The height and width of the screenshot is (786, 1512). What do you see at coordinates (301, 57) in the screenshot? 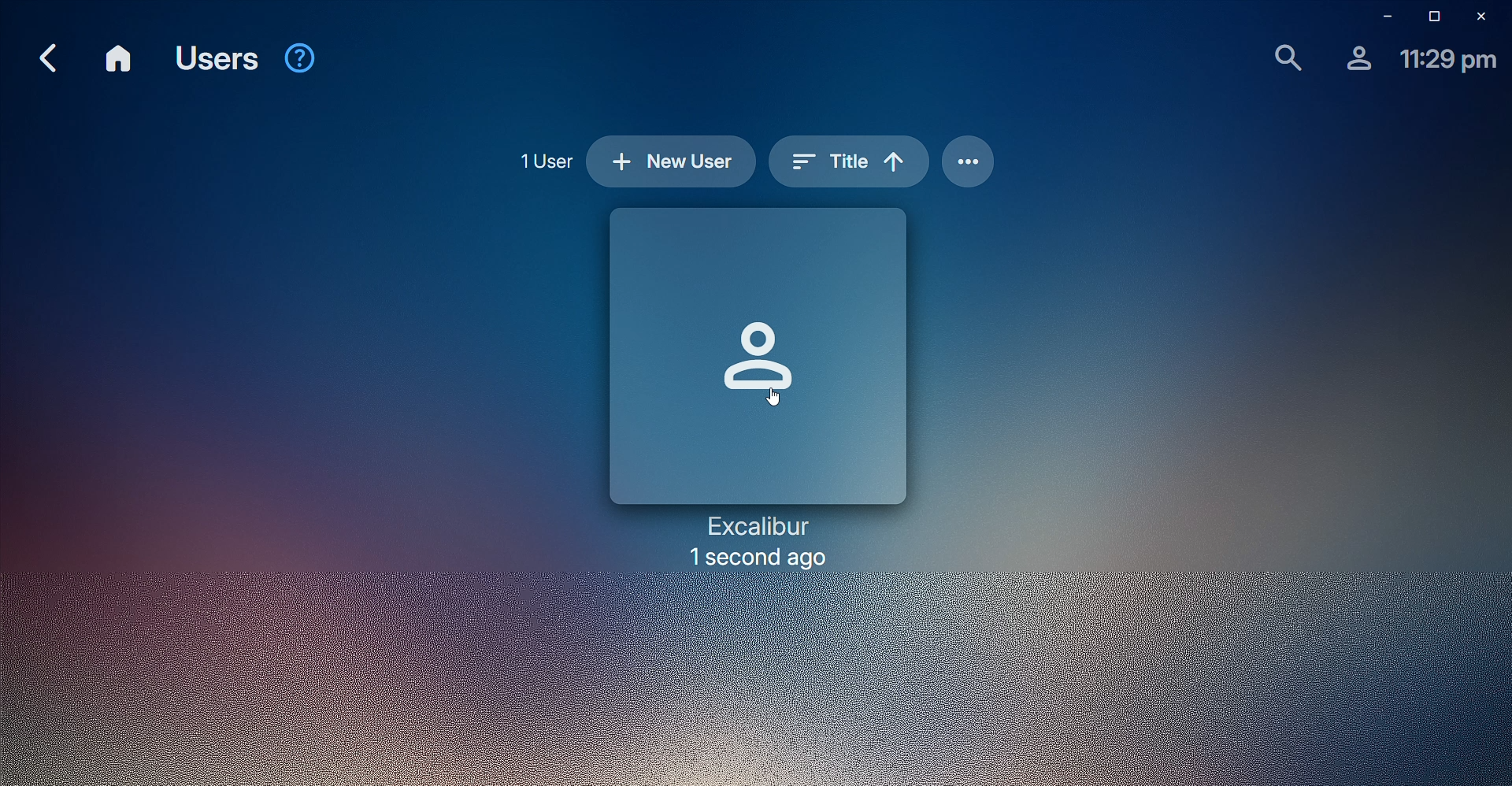
I see `Help` at bounding box center [301, 57].